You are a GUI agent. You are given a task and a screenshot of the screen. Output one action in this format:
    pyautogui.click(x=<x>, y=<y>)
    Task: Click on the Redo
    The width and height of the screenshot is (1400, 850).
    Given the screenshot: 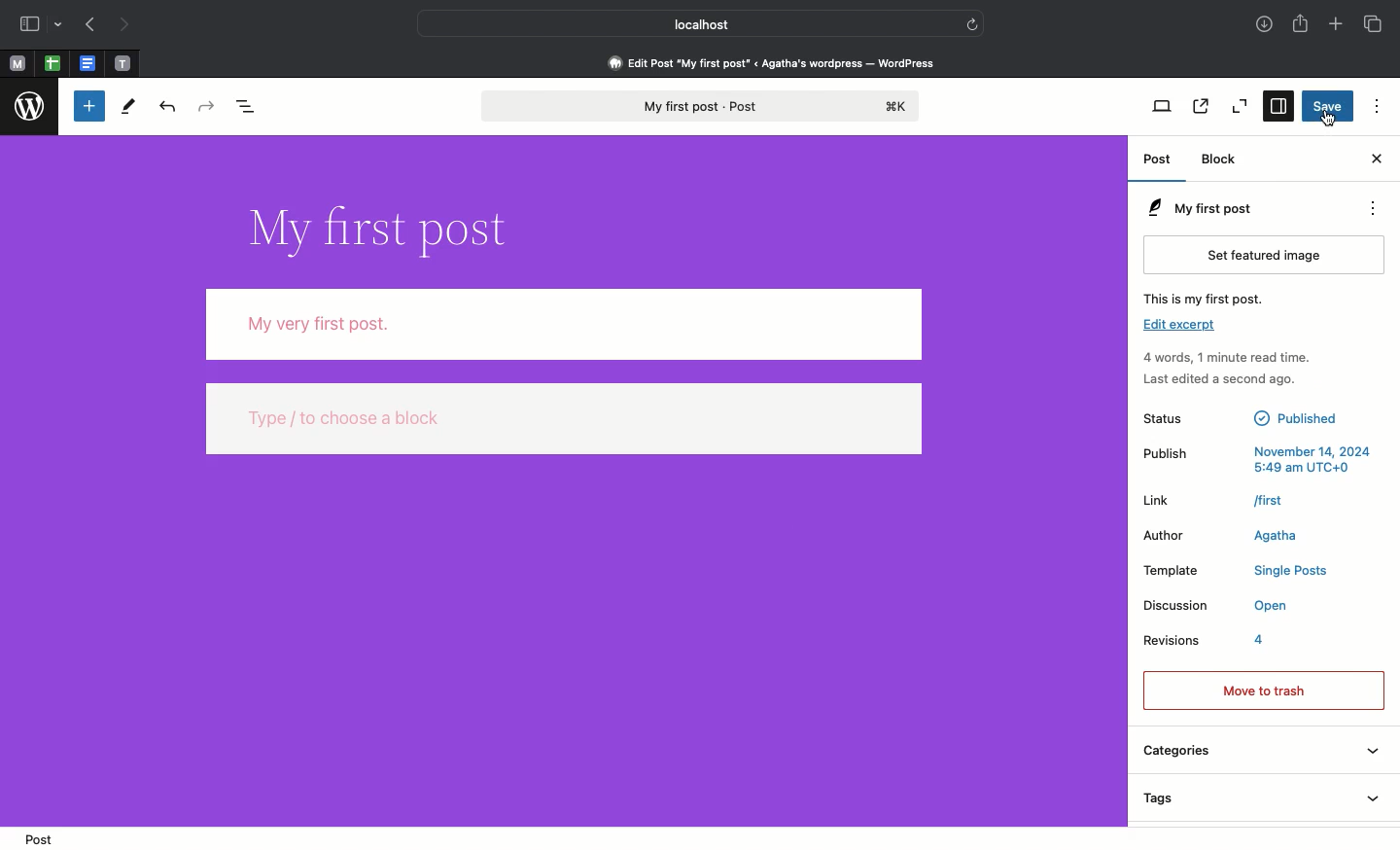 What is the action you would take?
    pyautogui.click(x=206, y=106)
    